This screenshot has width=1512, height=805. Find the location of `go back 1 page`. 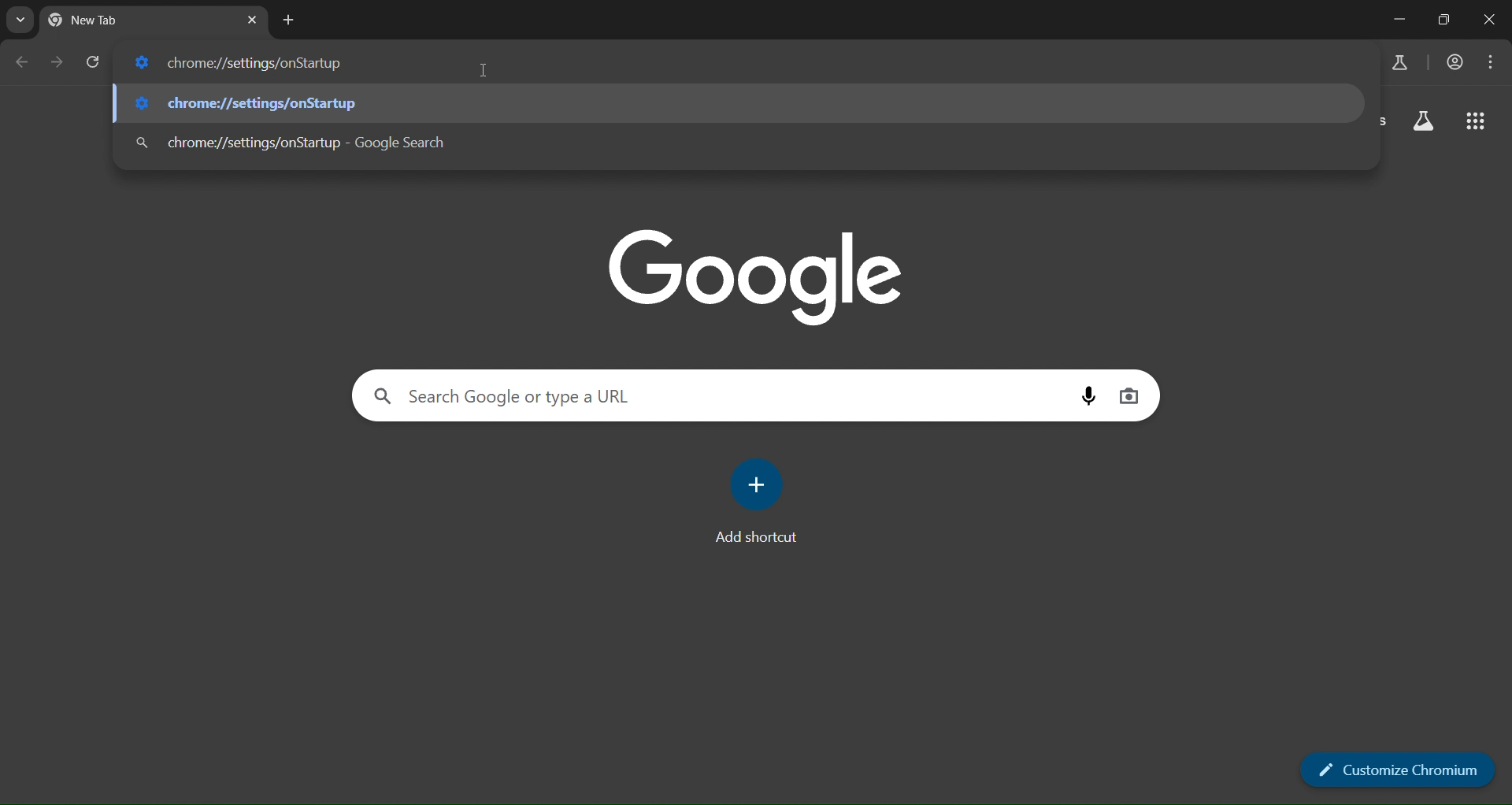

go back 1 page is located at coordinates (23, 62).